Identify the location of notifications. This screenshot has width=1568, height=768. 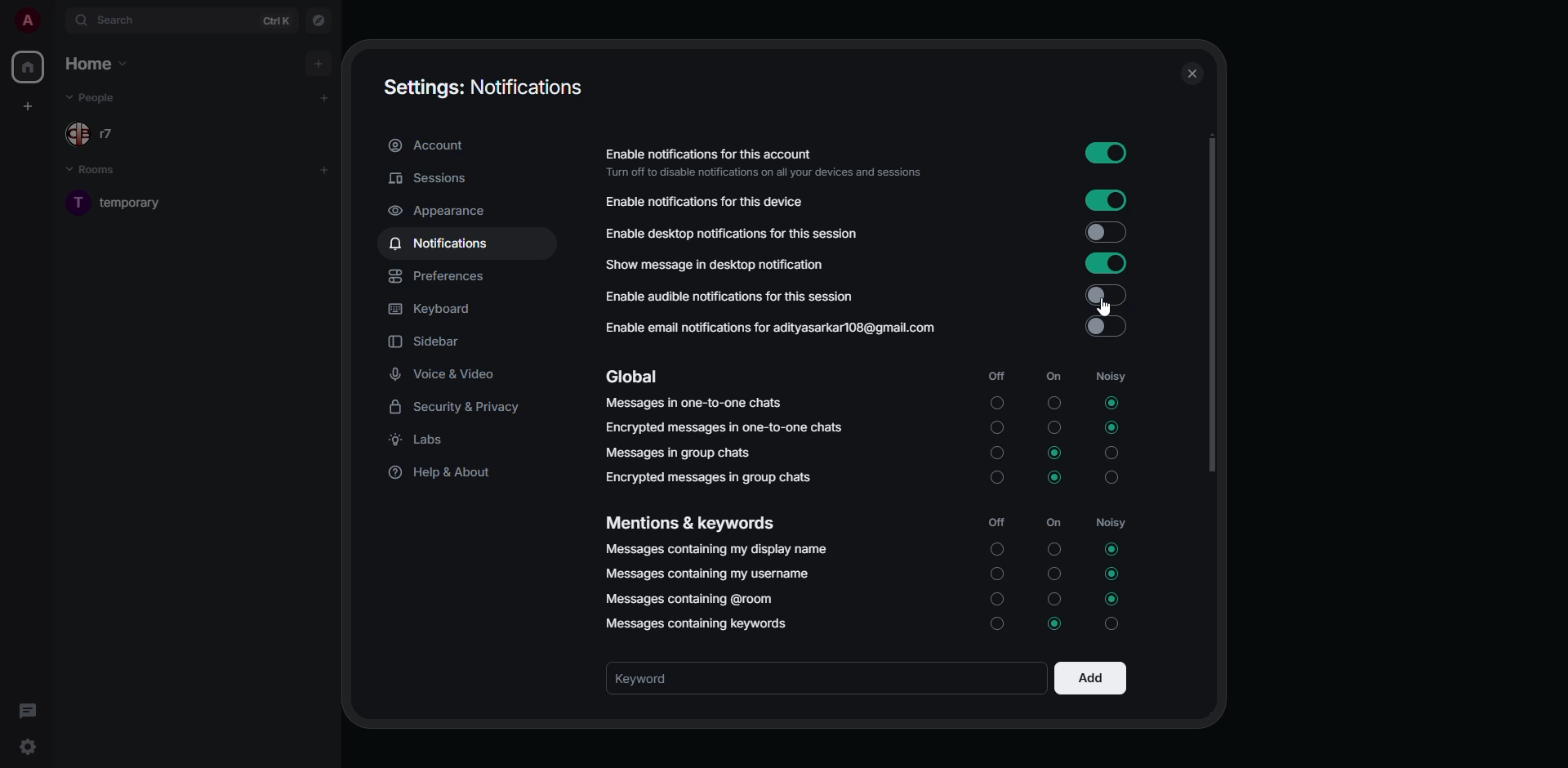
(439, 244).